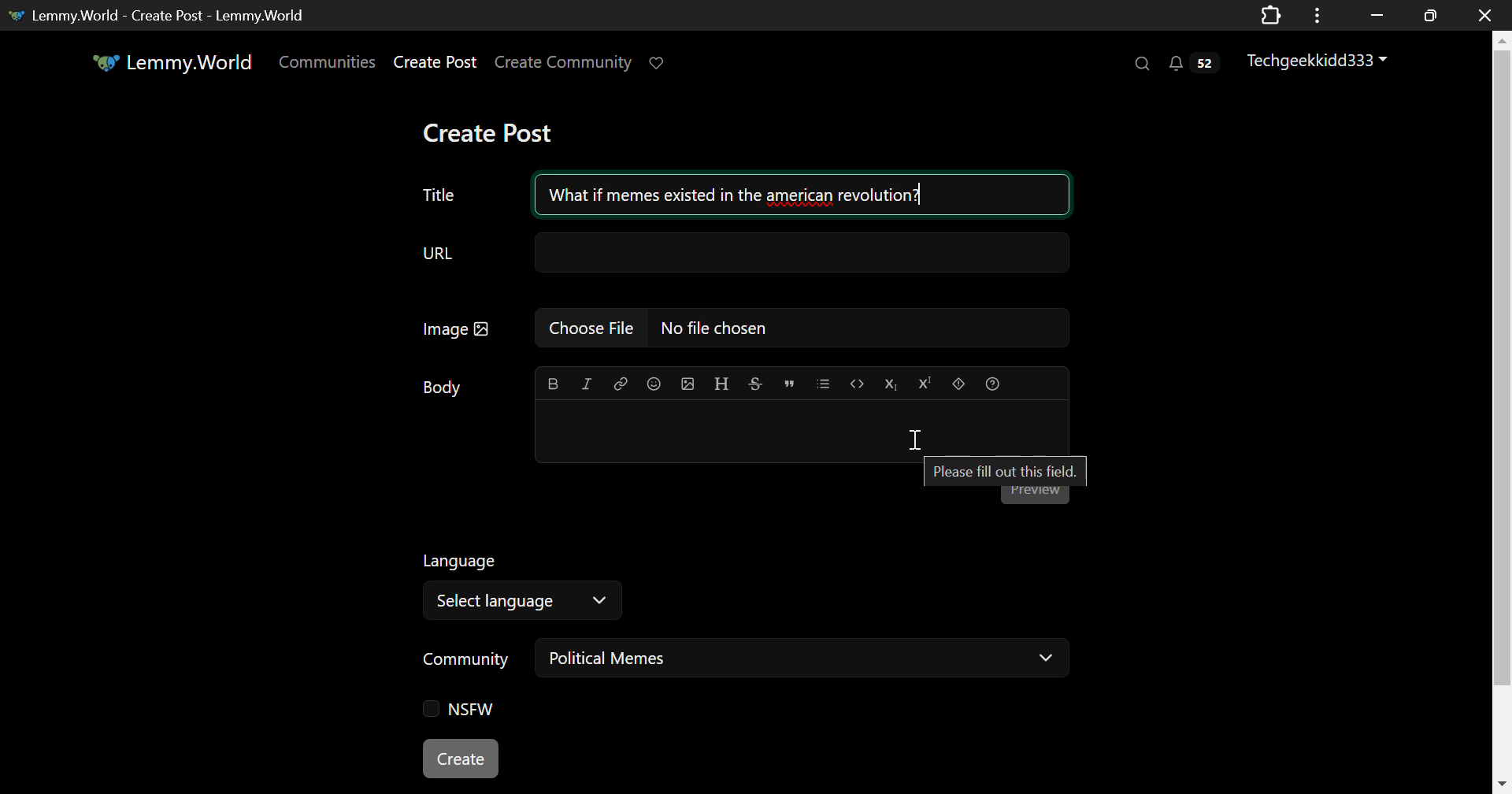 The height and width of the screenshot is (794, 1512). What do you see at coordinates (806, 195) in the screenshot?
I see `What if memes existed in the american revolution?` at bounding box center [806, 195].